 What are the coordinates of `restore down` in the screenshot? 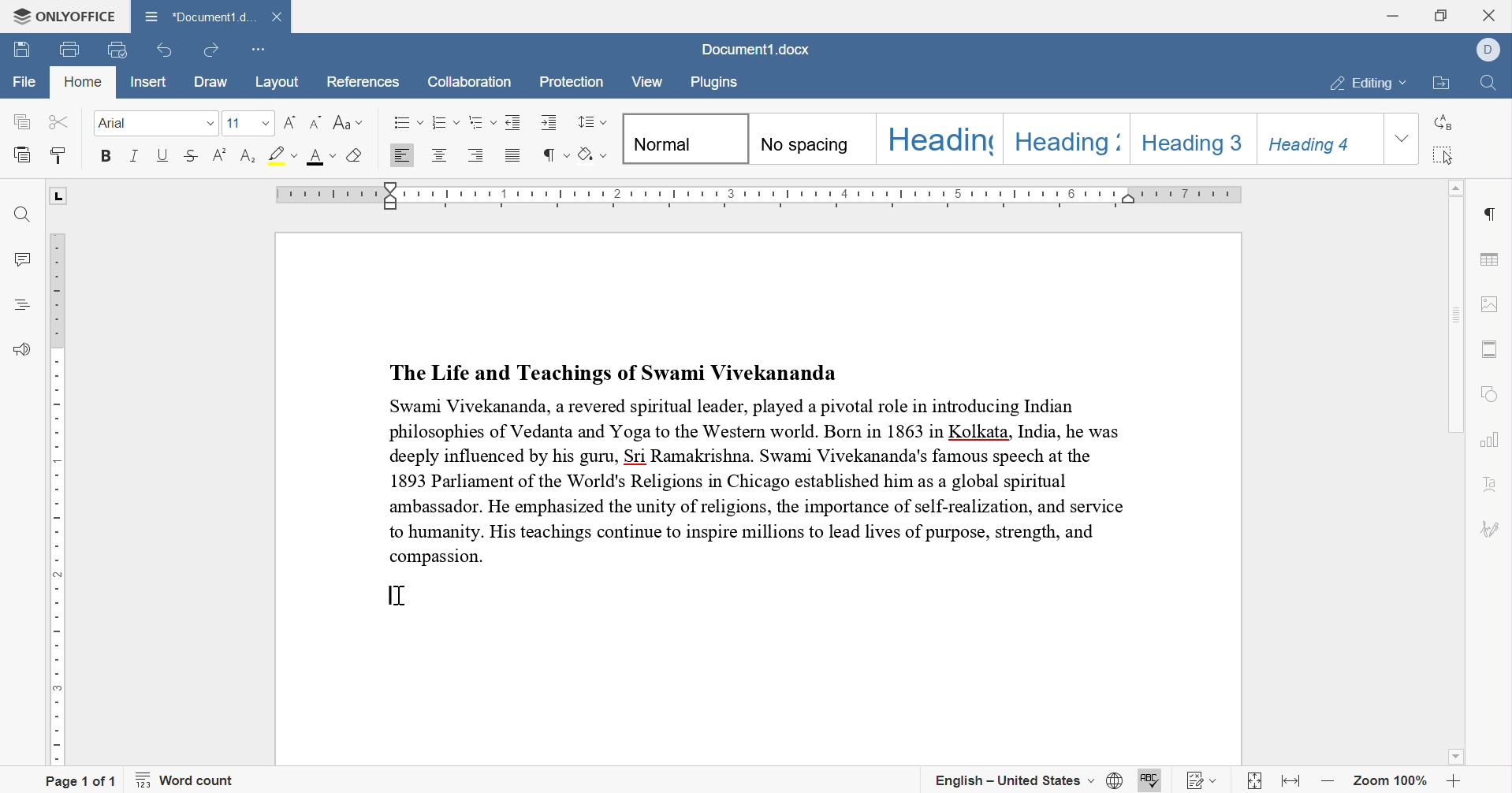 It's located at (1443, 13).